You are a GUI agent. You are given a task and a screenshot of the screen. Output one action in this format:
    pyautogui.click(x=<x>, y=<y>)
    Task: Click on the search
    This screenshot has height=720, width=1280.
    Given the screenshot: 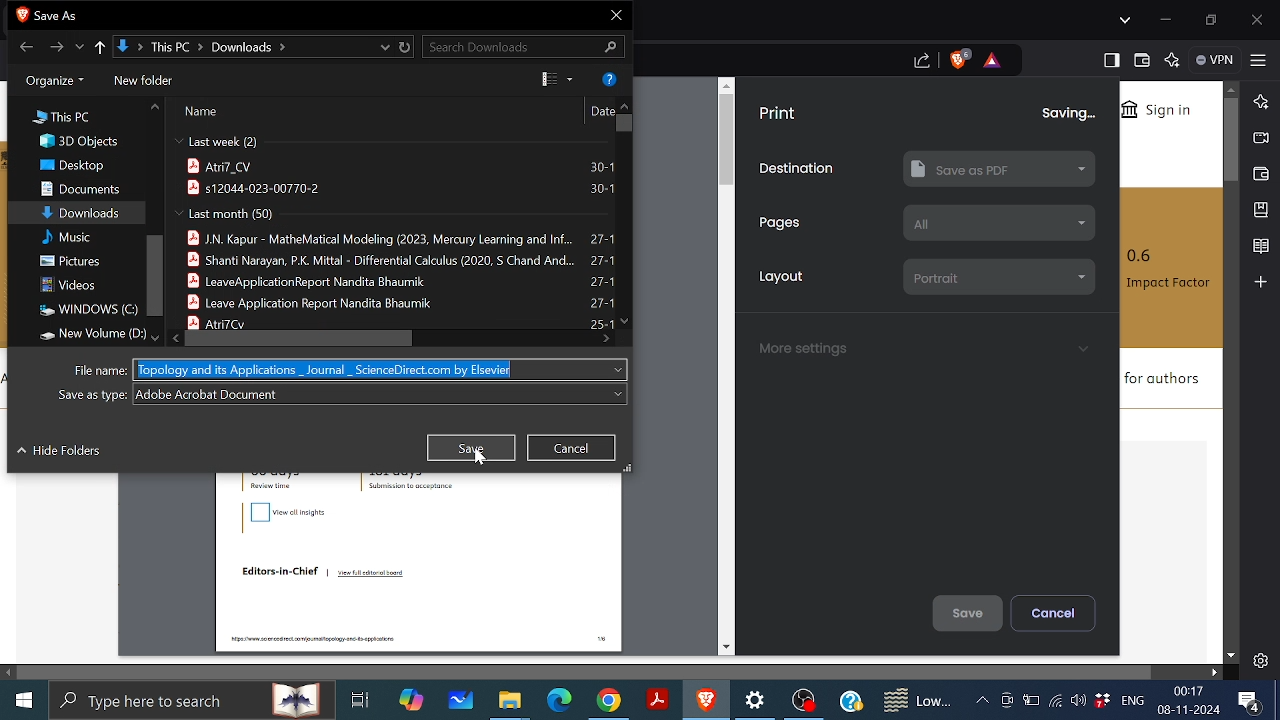 What is the action you would take?
    pyautogui.click(x=196, y=702)
    